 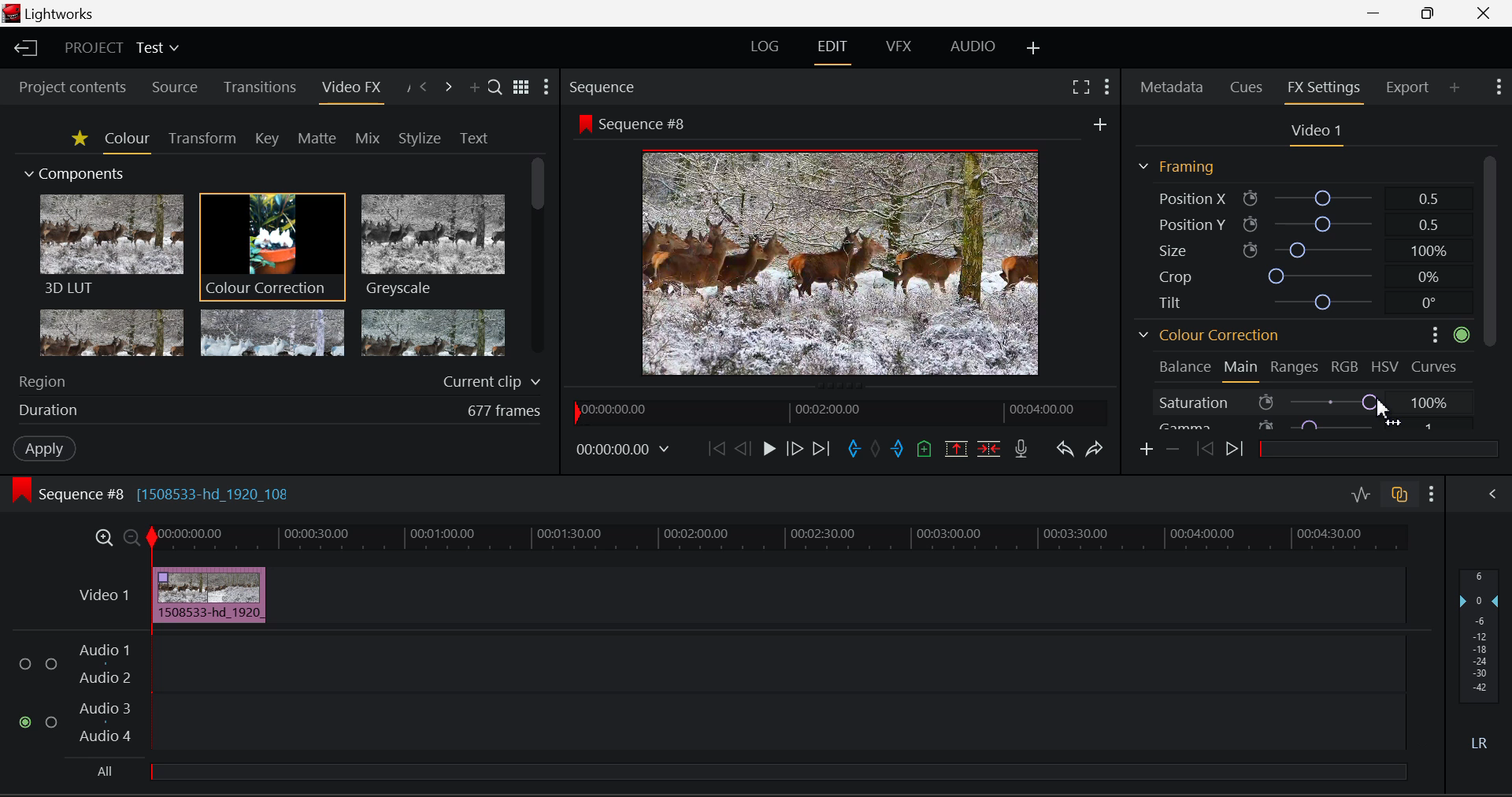 What do you see at coordinates (279, 409) in the screenshot?
I see `Duration` at bounding box center [279, 409].